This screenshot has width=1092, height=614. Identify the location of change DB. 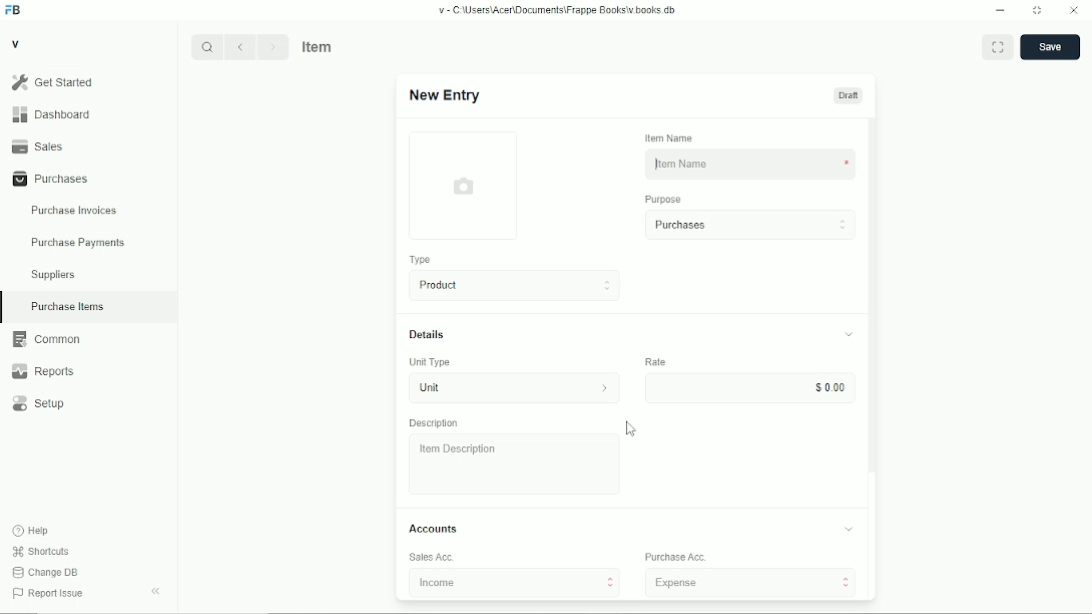
(45, 572).